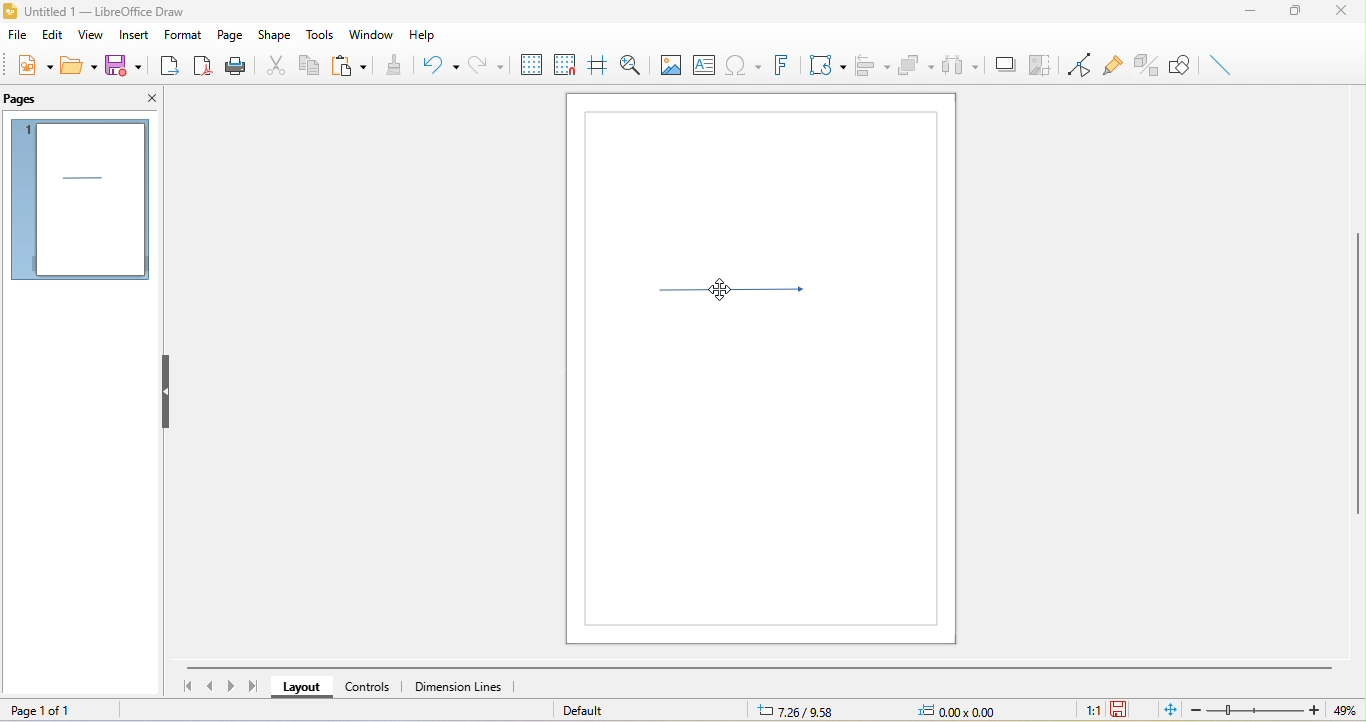  Describe the element at coordinates (1297, 14) in the screenshot. I see `maximize` at that location.